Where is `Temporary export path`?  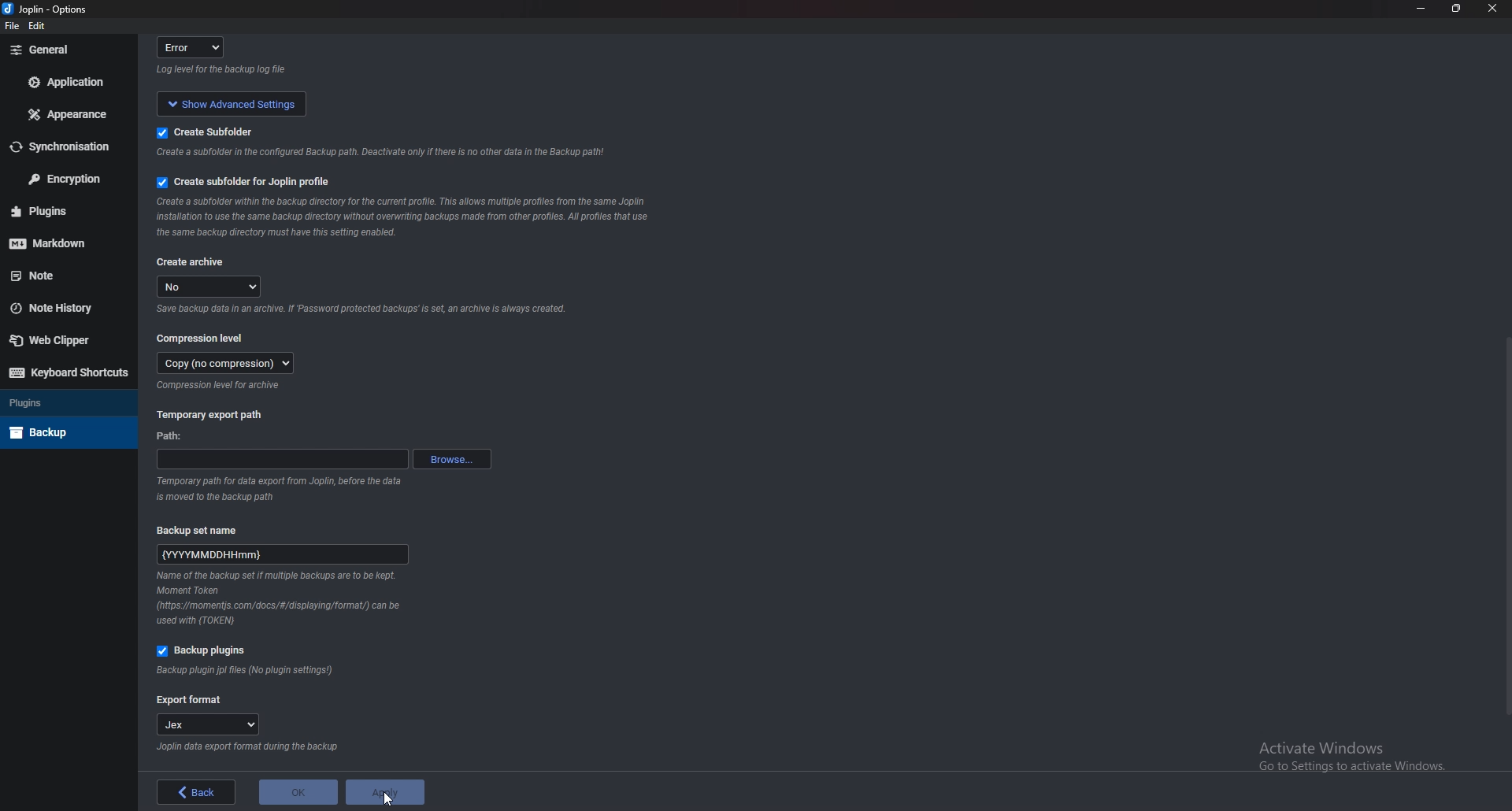 Temporary export path is located at coordinates (211, 414).